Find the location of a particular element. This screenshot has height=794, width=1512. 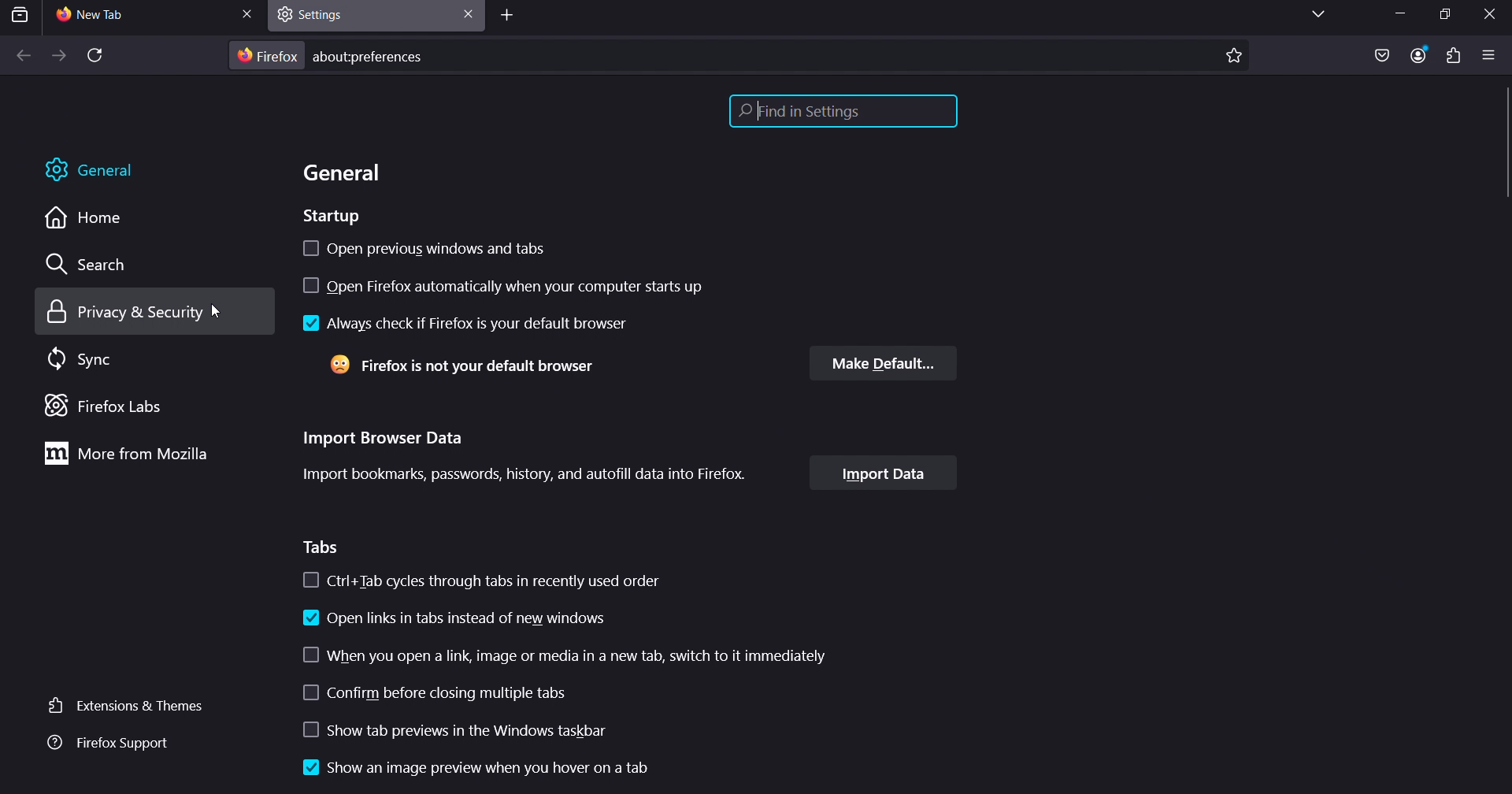

minimize is located at coordinates (1397, 16).